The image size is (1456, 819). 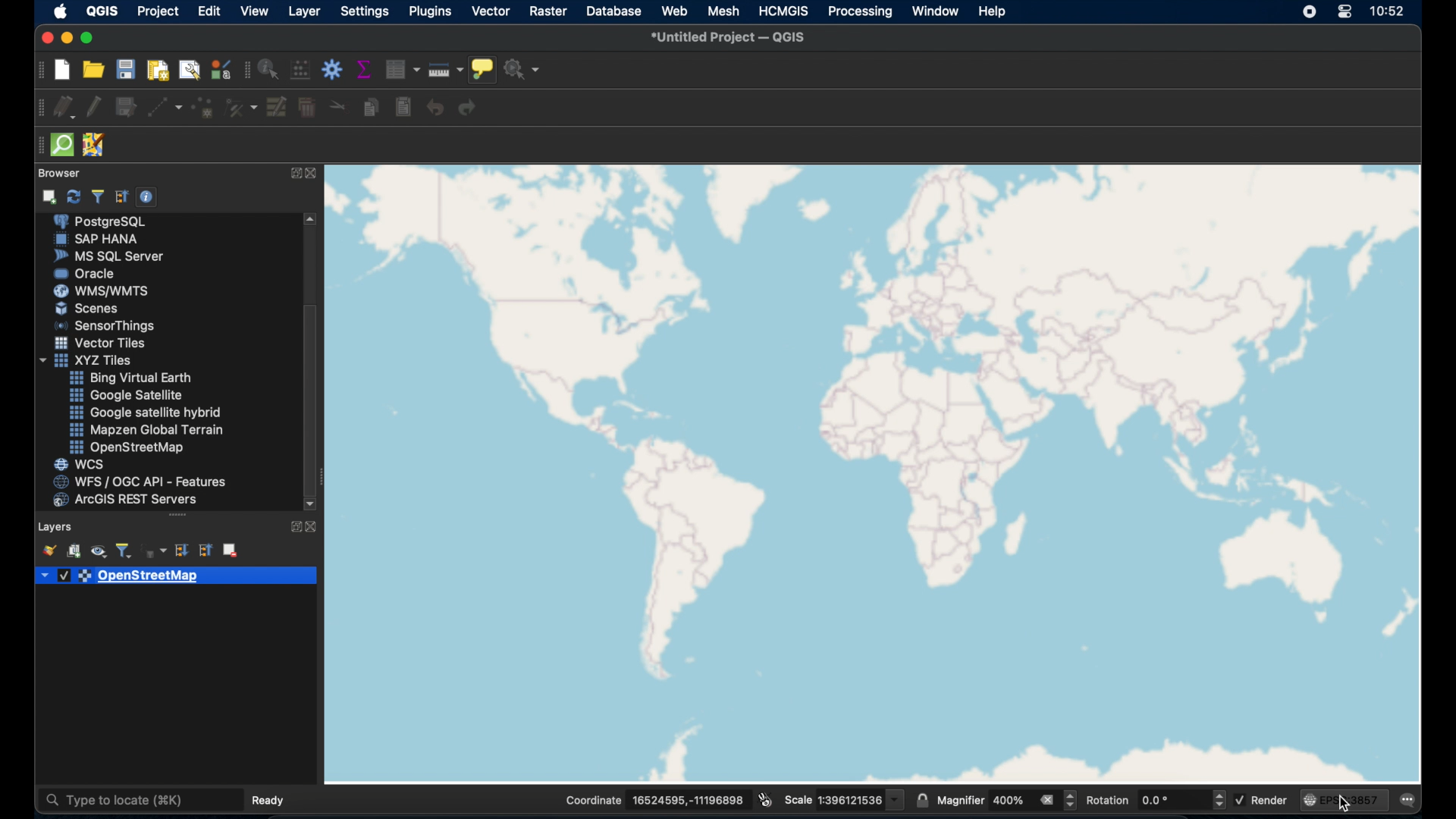 What do you see at coordinates (472, 110) in the screenshot?
I see `redo` at bounding box center [472, 110].